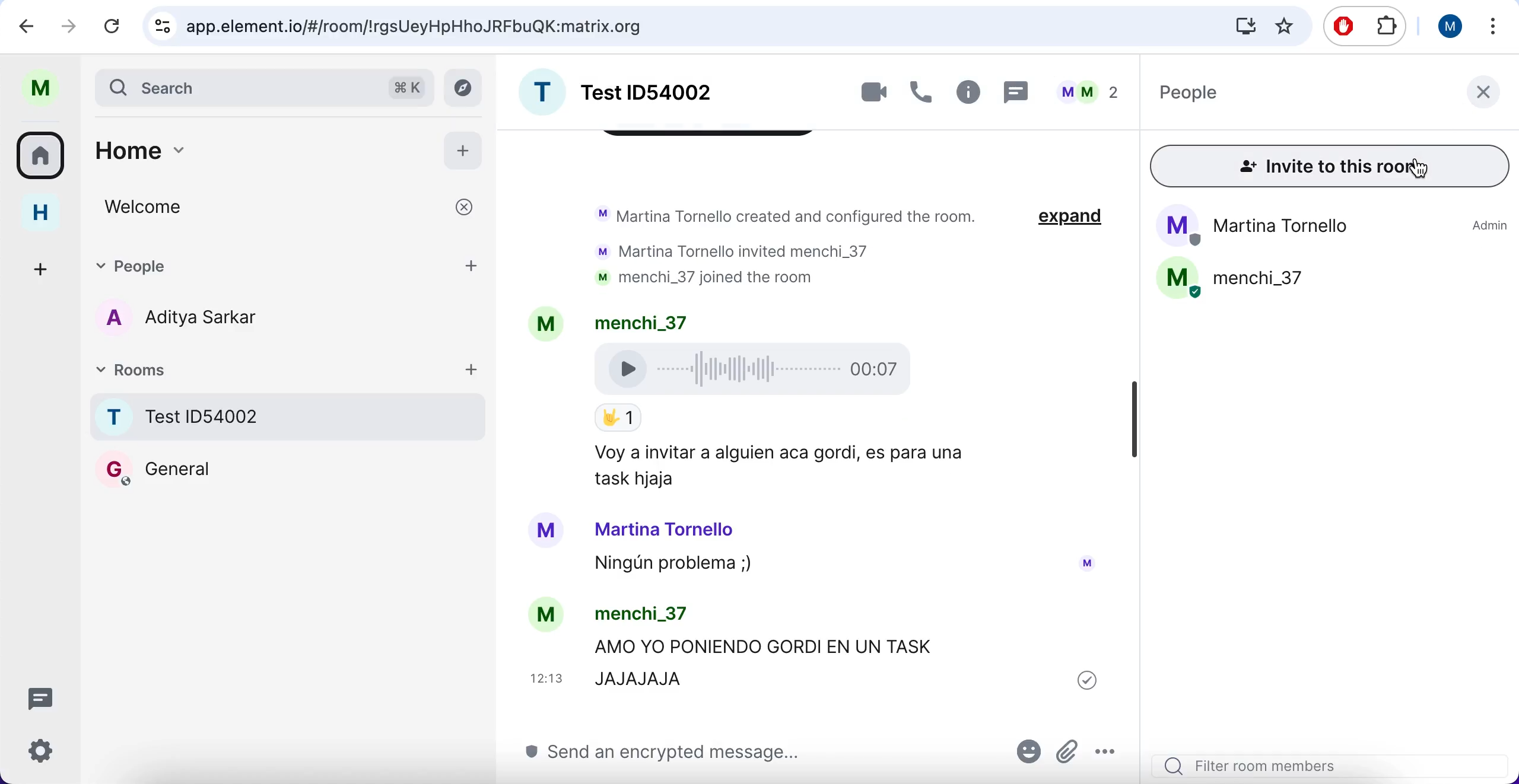  What do you see at coordinates (111, 28) in the screenshot?
I see `reload current page` at bounding box center [111, 28].